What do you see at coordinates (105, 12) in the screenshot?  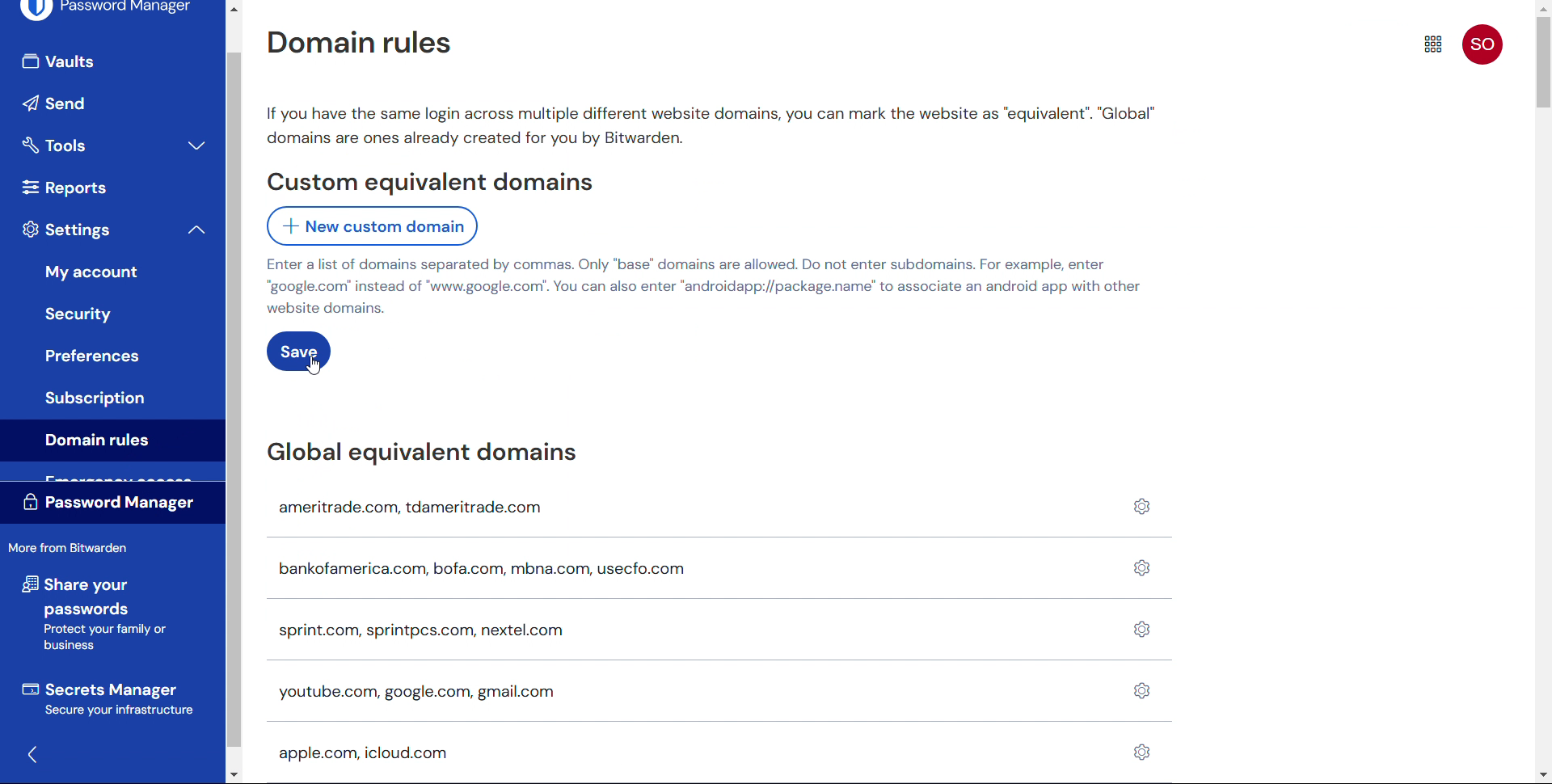 I see `Password manager ` at bounding box center [105, 12].